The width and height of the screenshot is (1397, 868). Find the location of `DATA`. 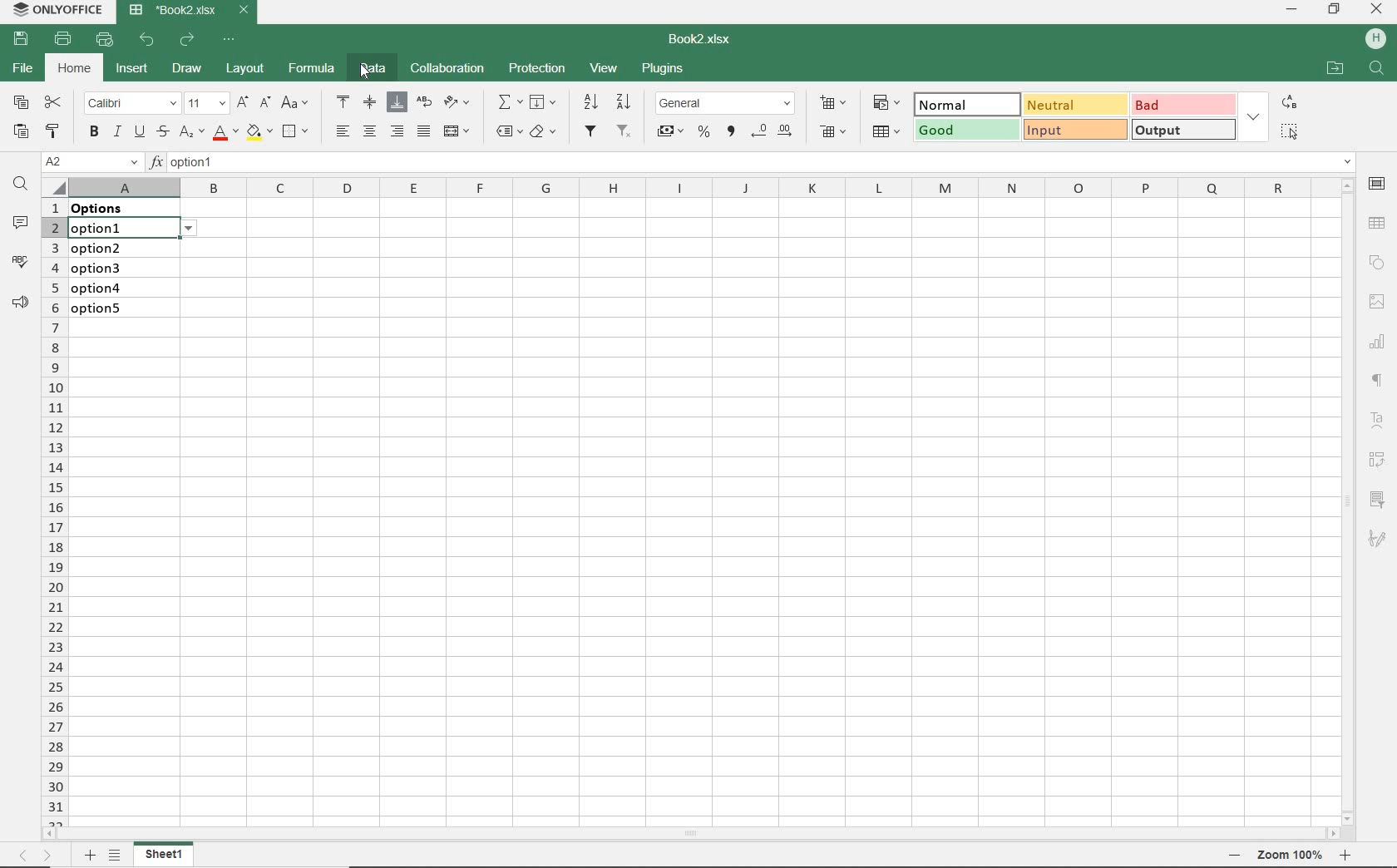

DATA is located at coordinates (374, 70).